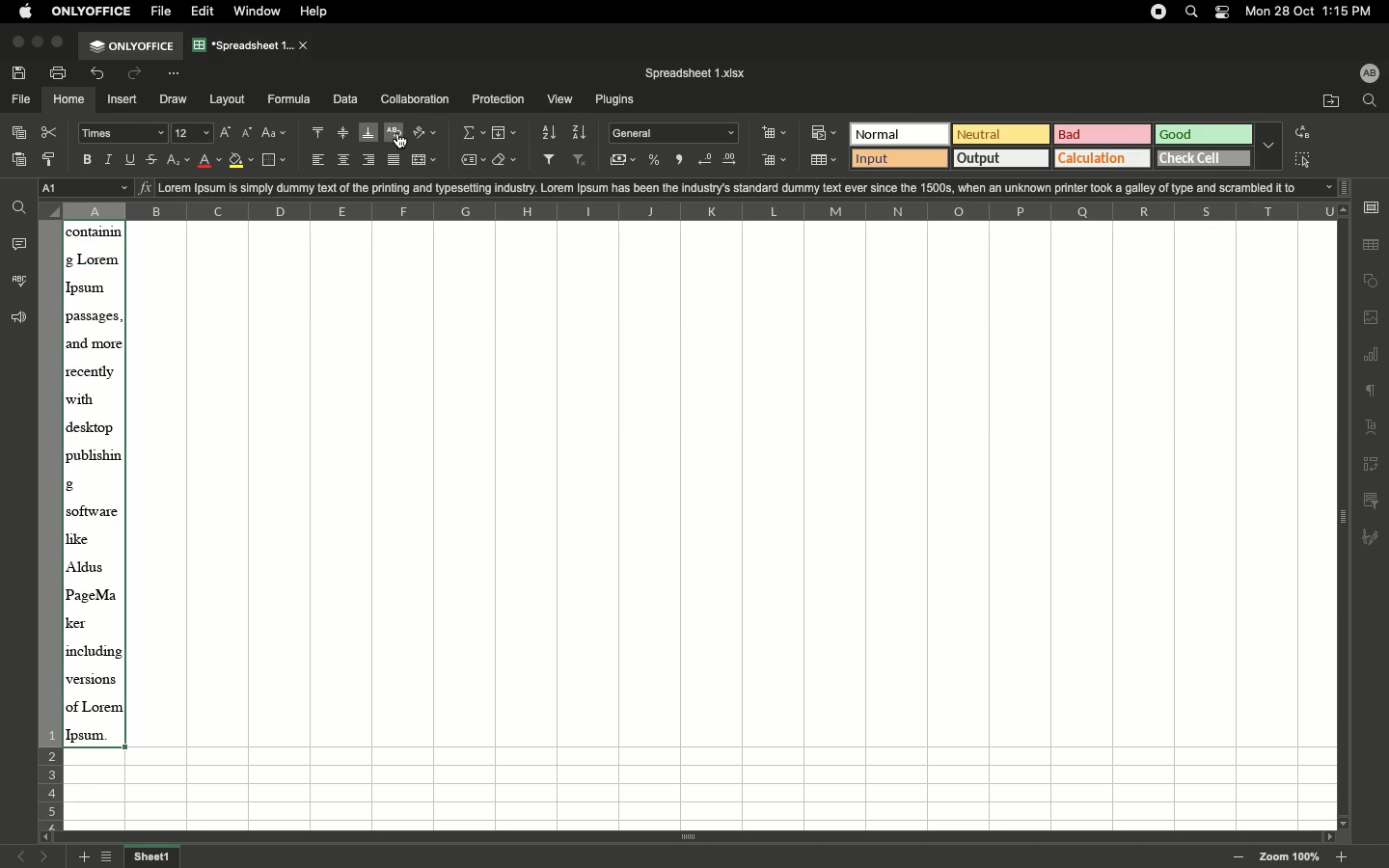  What do you see at coordinates (1301, 132) in the screenshot?
I see `Replace` at bounding box center [1301, 132].